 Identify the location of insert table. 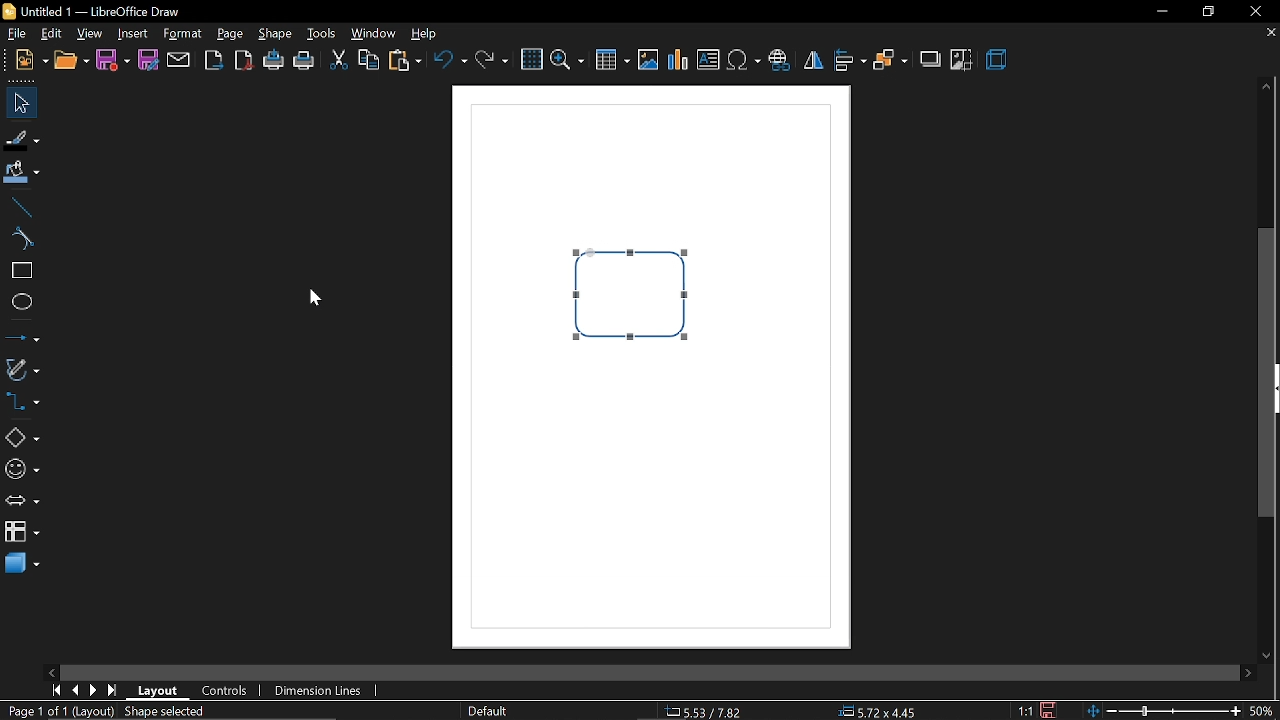
(611, 62).